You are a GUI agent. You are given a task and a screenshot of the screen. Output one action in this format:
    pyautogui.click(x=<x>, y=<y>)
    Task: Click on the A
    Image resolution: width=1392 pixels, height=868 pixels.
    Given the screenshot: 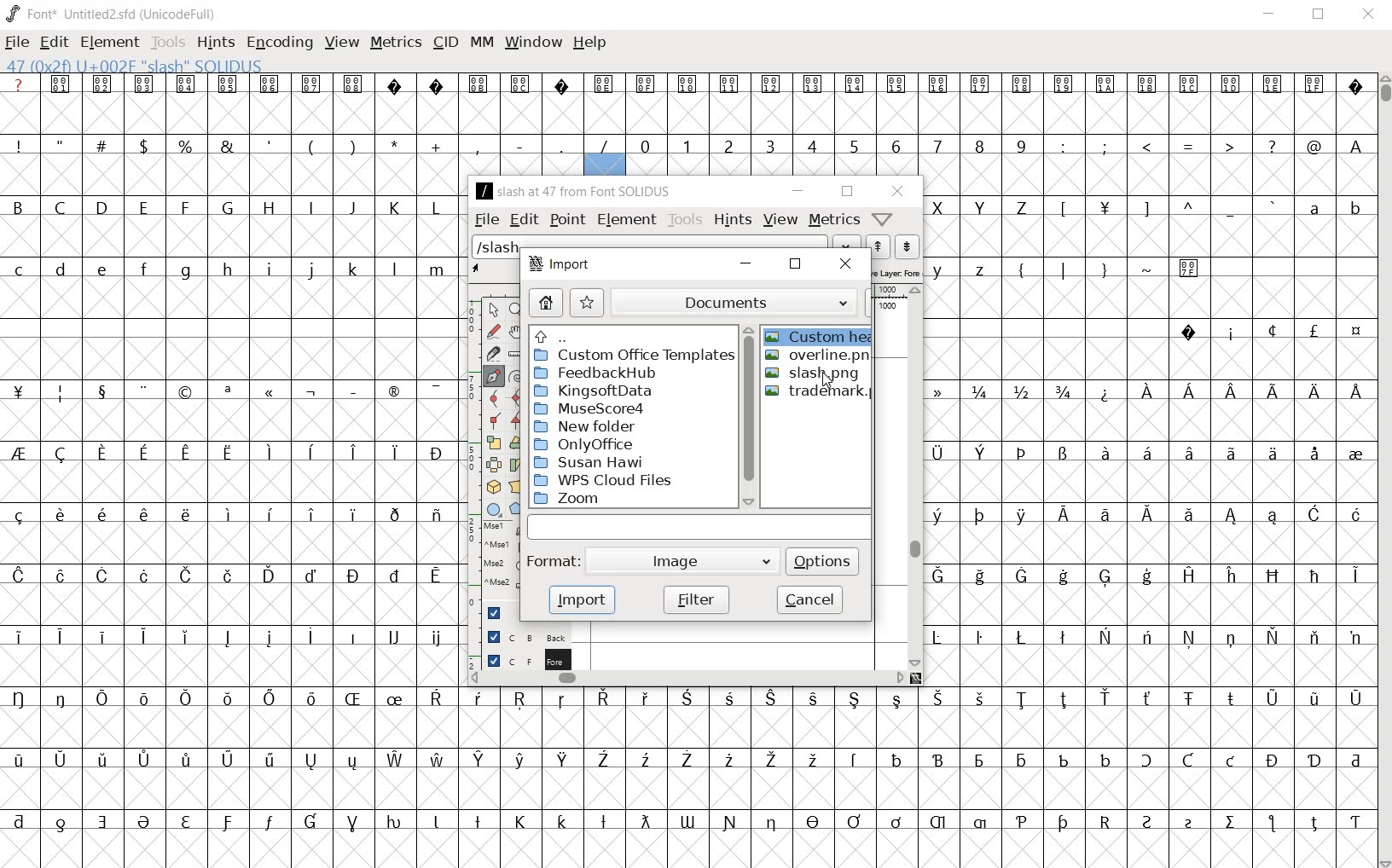 What is the action you would take?
    pyautogui.click(x=1352, y=145)
    